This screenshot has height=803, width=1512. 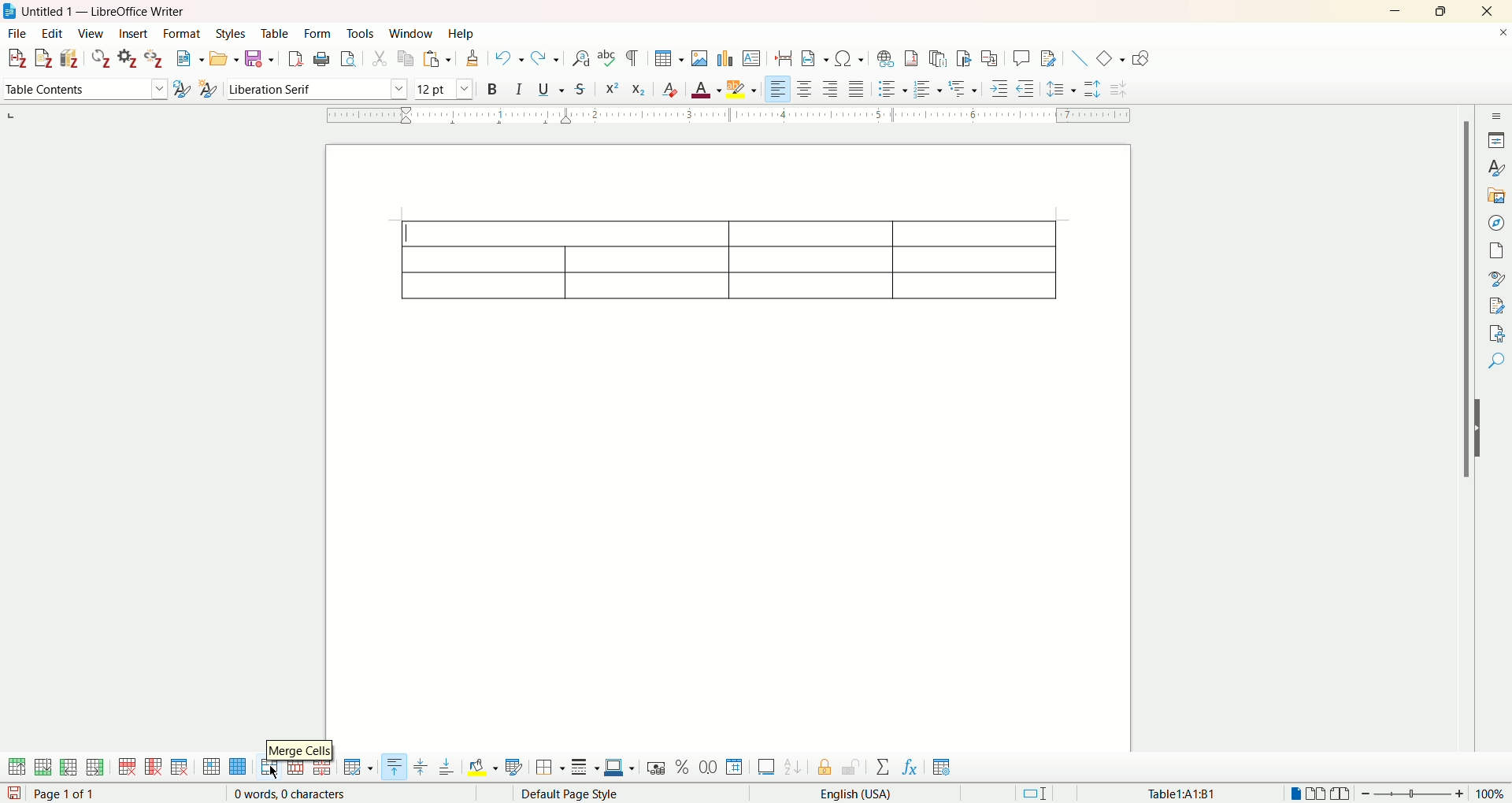 I want to click on default page, so click(x=612, y=792).